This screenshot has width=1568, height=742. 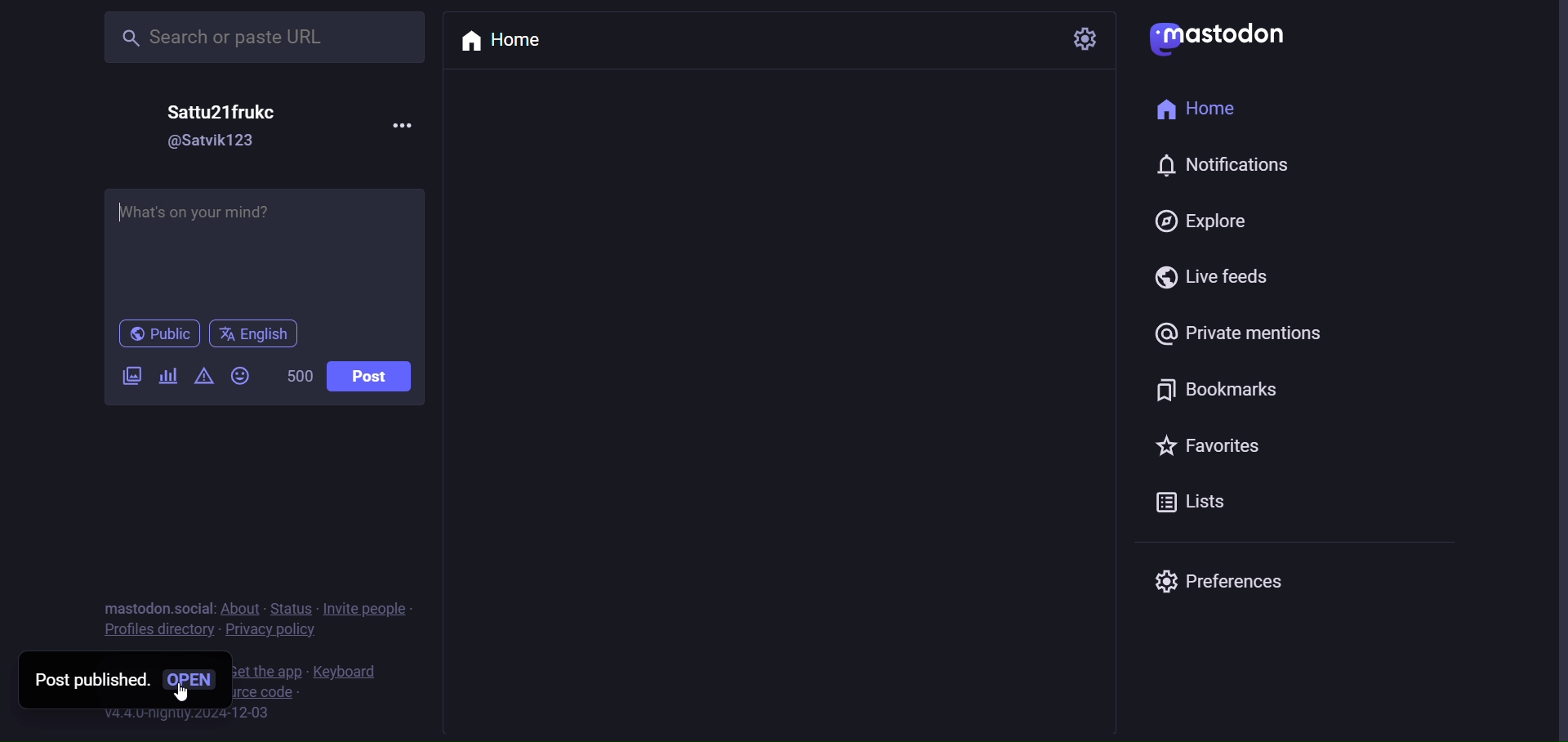 I want to click on about, so click(x=238, y=608).